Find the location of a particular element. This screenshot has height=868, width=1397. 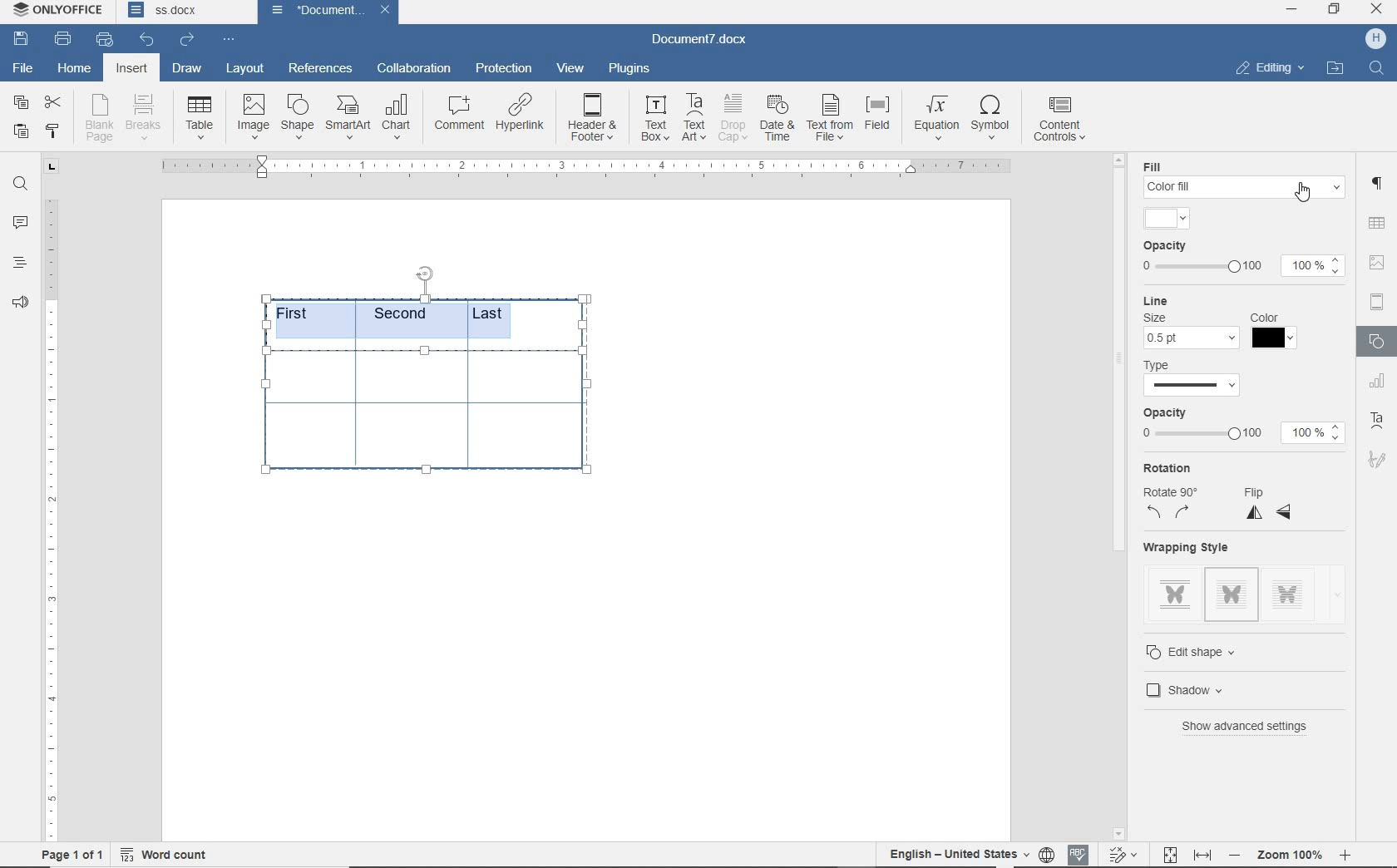

page 1 of 1 is located at coordinates (69, 852).